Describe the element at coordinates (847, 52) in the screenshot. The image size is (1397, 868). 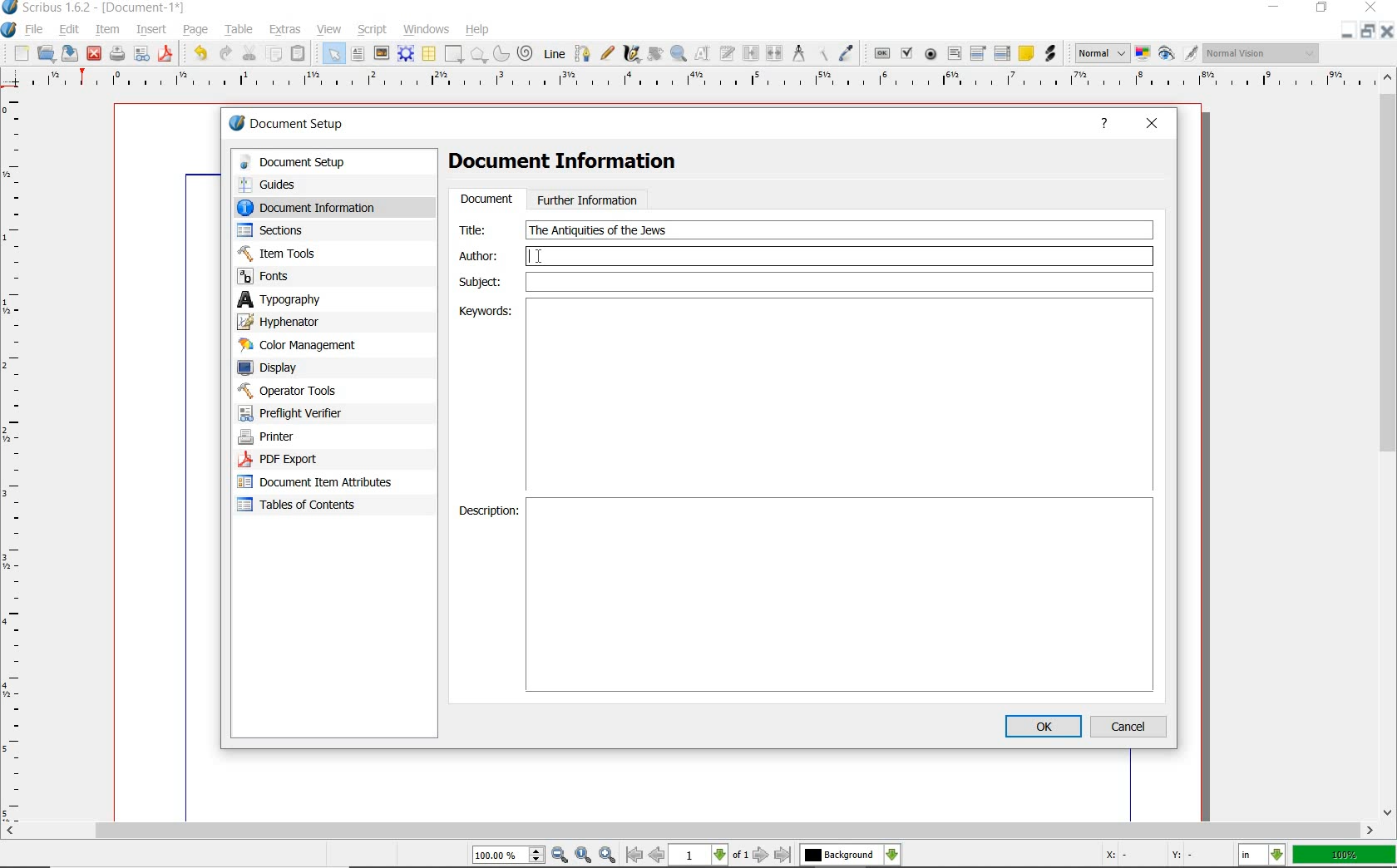
I see `eye dropper` at that location.